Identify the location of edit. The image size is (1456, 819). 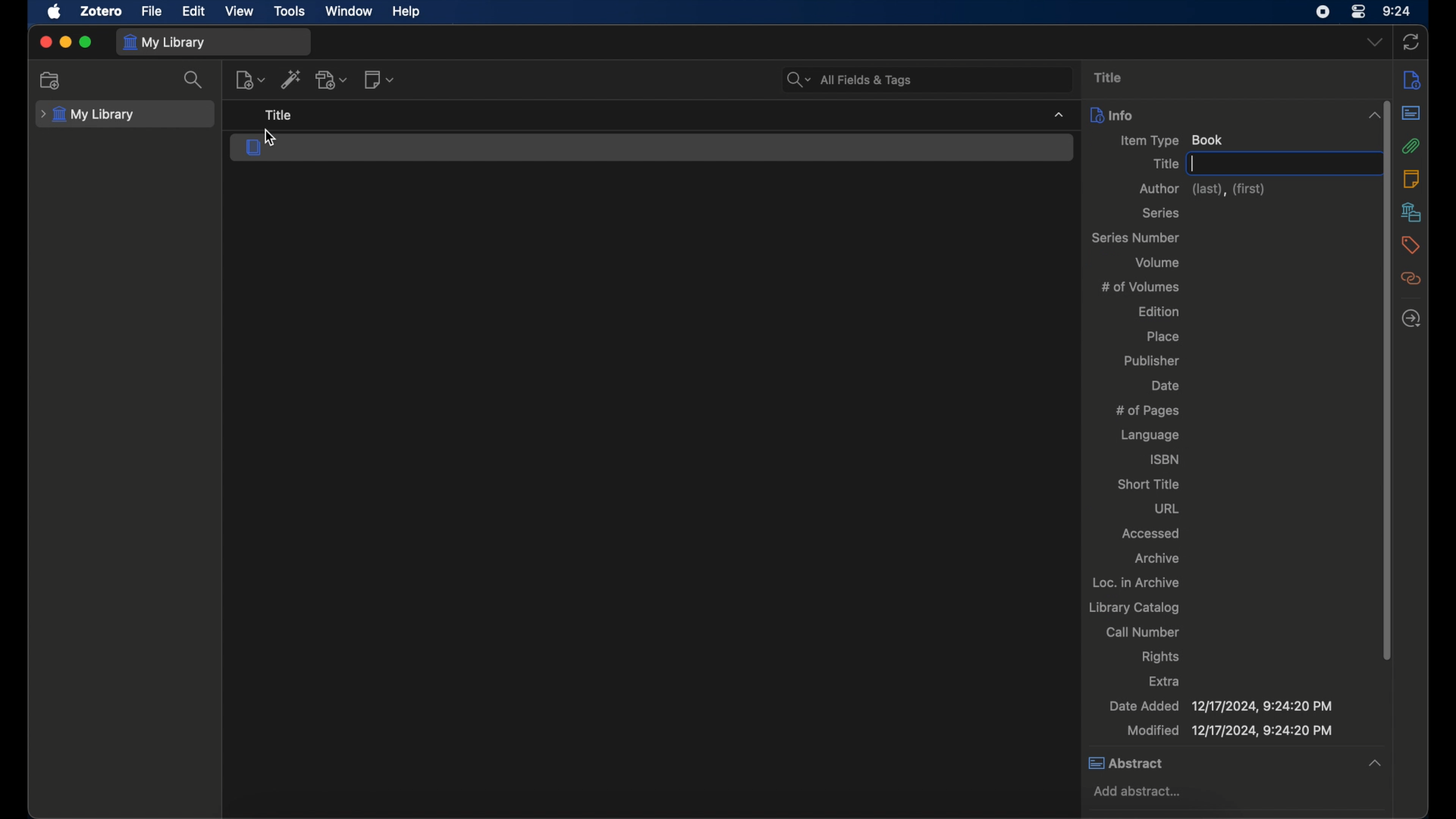
(194, 11).